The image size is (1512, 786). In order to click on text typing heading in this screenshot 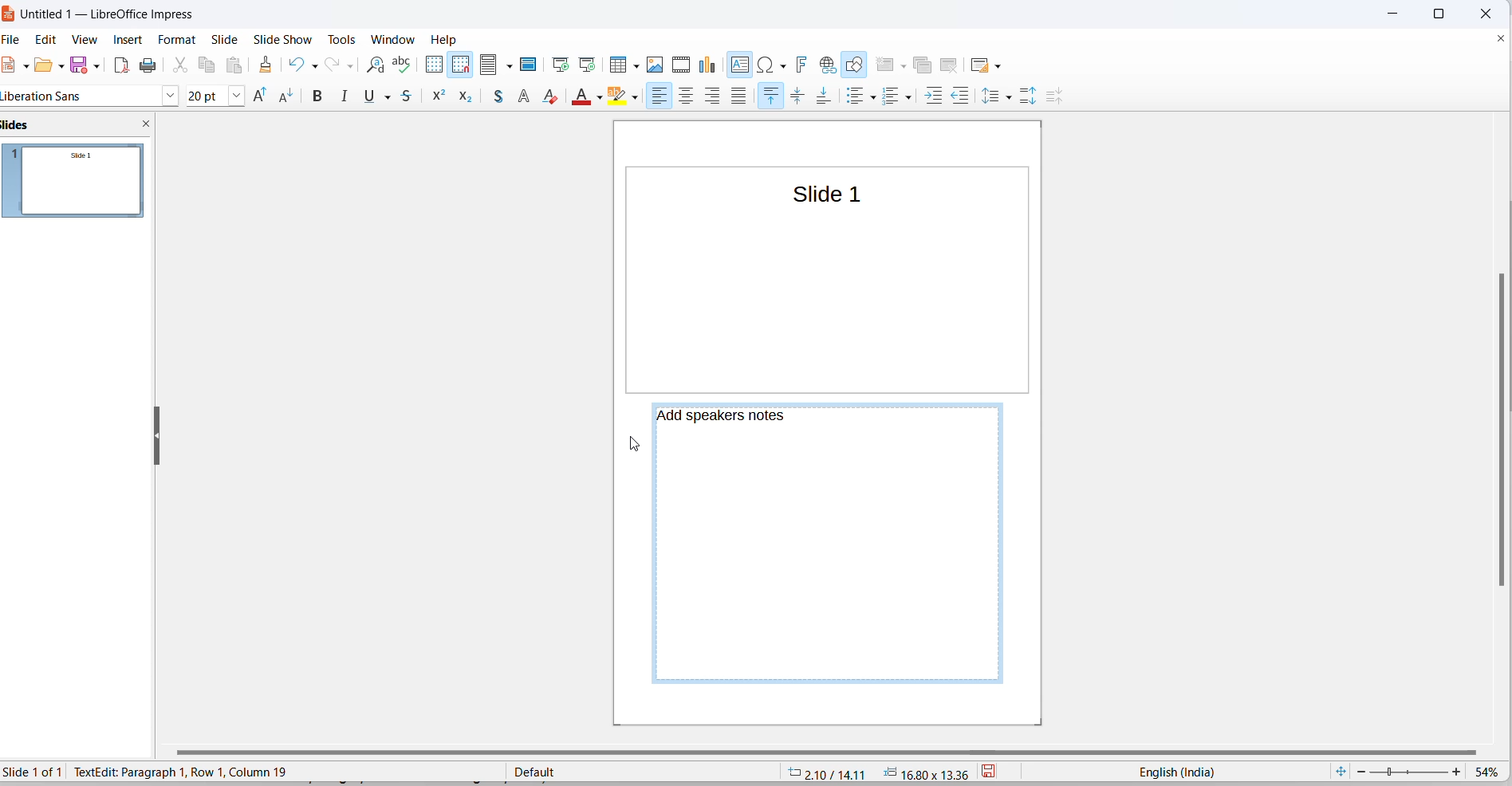, I will do `click(179, 771)`.